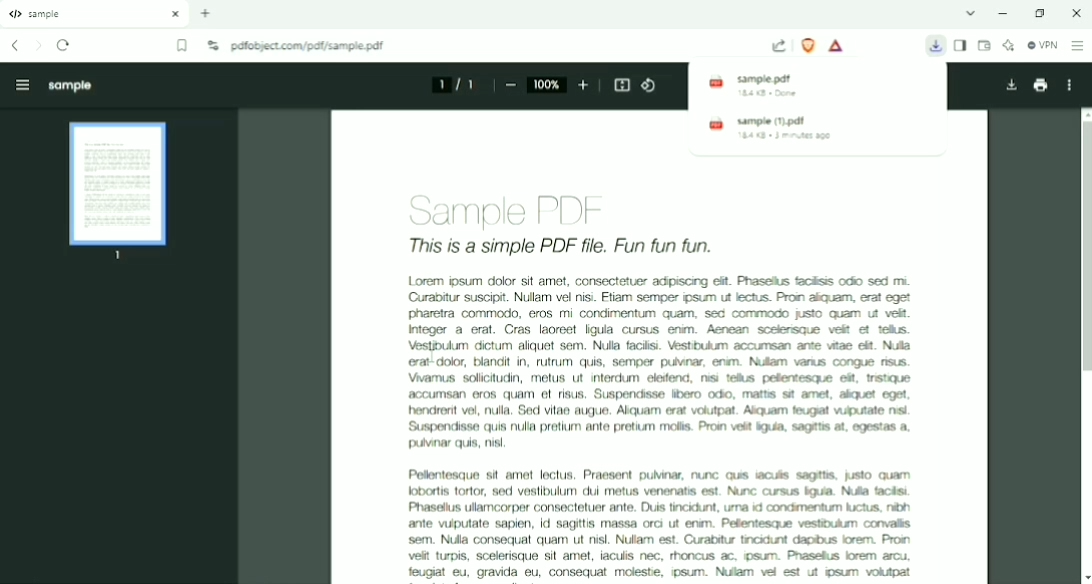 The width and height of the screenshot is (1092, 584). I want to click on Show sidebar, so click(962, 45).